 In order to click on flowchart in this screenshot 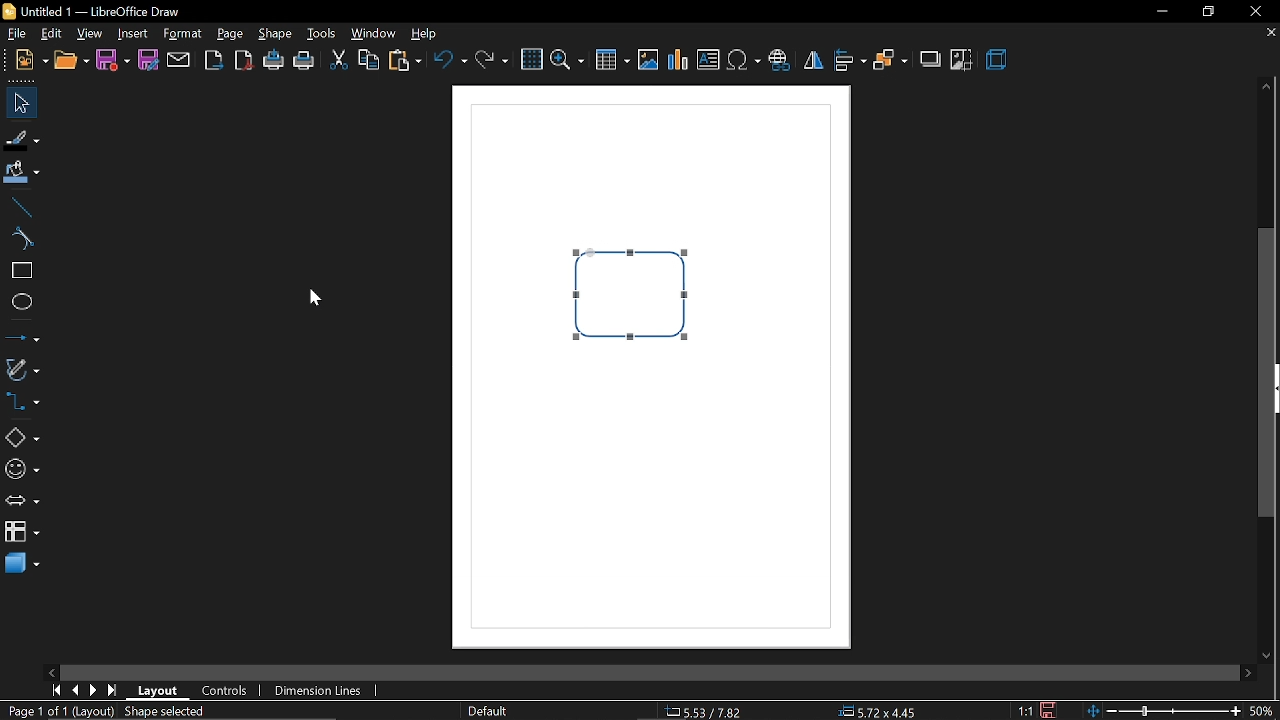, I will do `click(19, 531)`.